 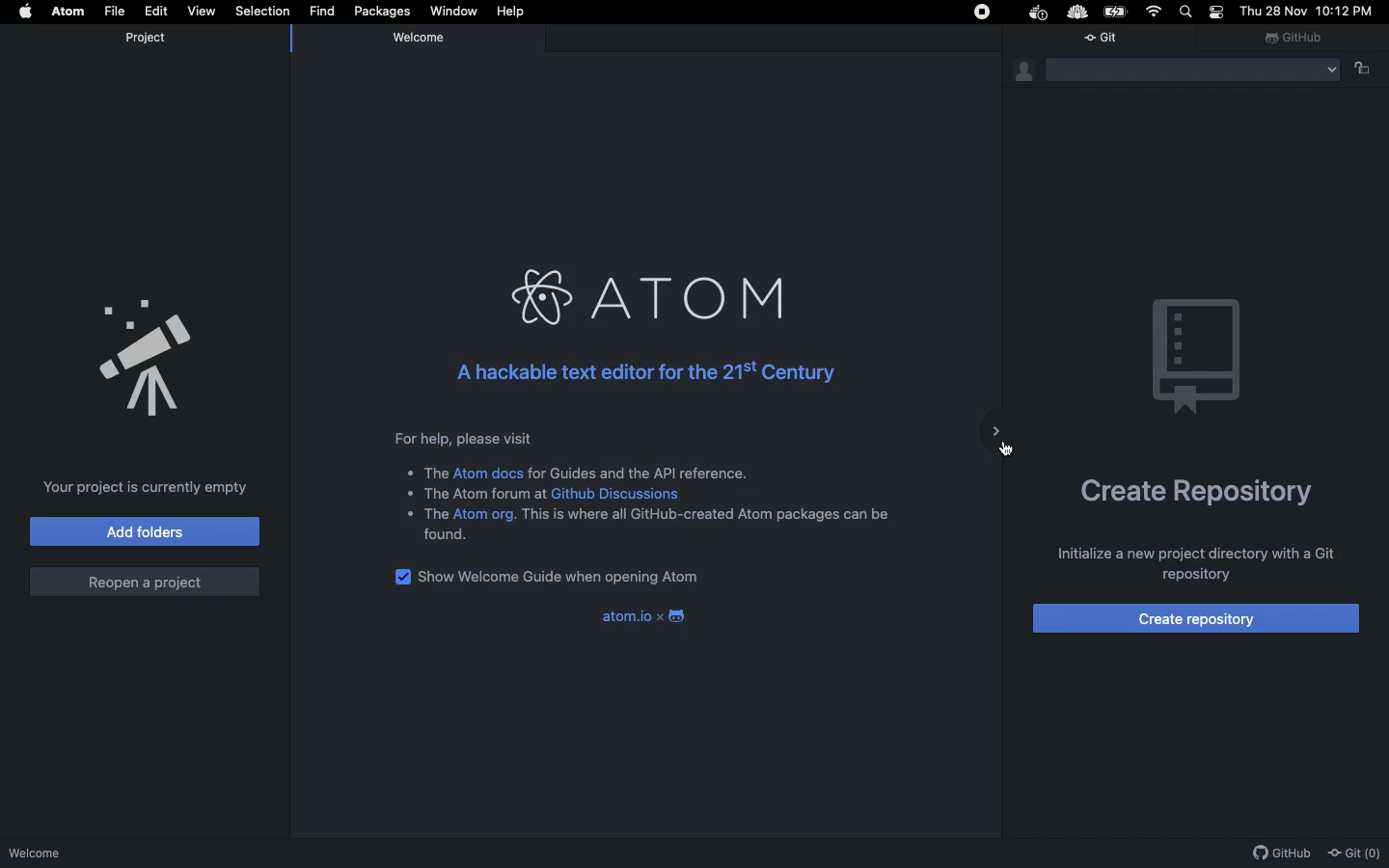 I want to click on Edit, so click(x=156, y=11).